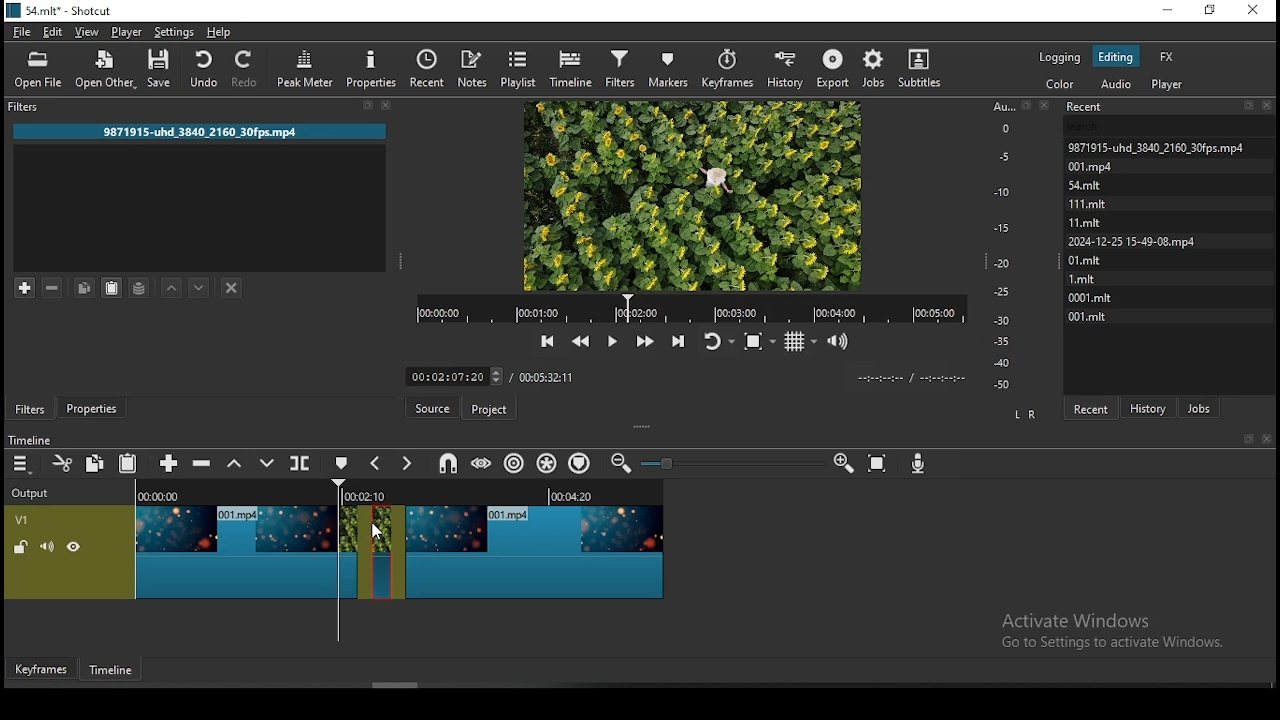 The height and width of the screenshot is (720, 1280). Describe the element at coordinates (127, 32) in the screenshot. I see `player` at that location.